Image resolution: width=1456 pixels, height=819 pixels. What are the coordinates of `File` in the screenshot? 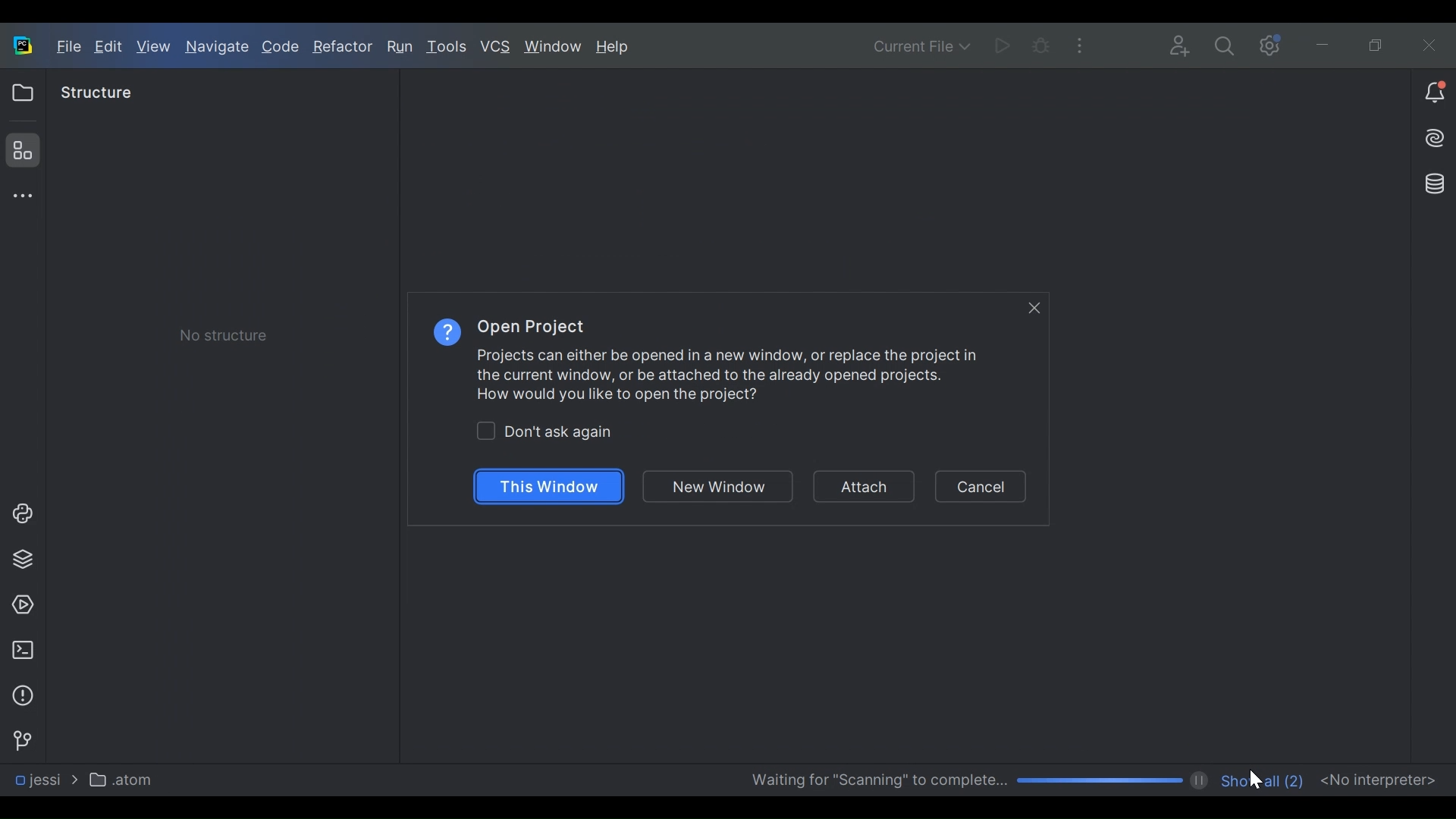 It's located at (67, 48).